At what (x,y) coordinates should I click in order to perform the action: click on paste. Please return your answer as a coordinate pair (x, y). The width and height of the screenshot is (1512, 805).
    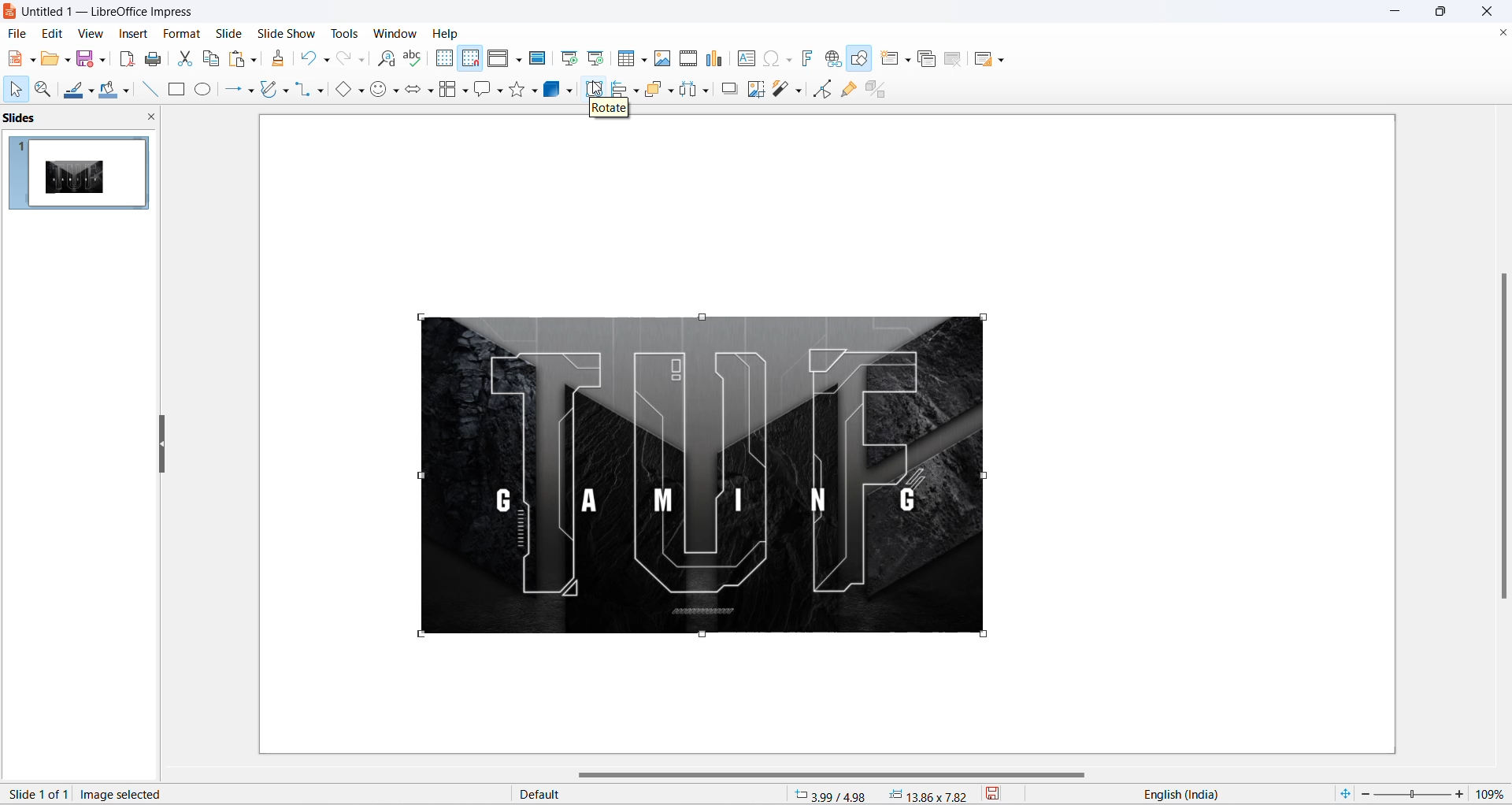
    Looking at the image, I should click on (239, 59).